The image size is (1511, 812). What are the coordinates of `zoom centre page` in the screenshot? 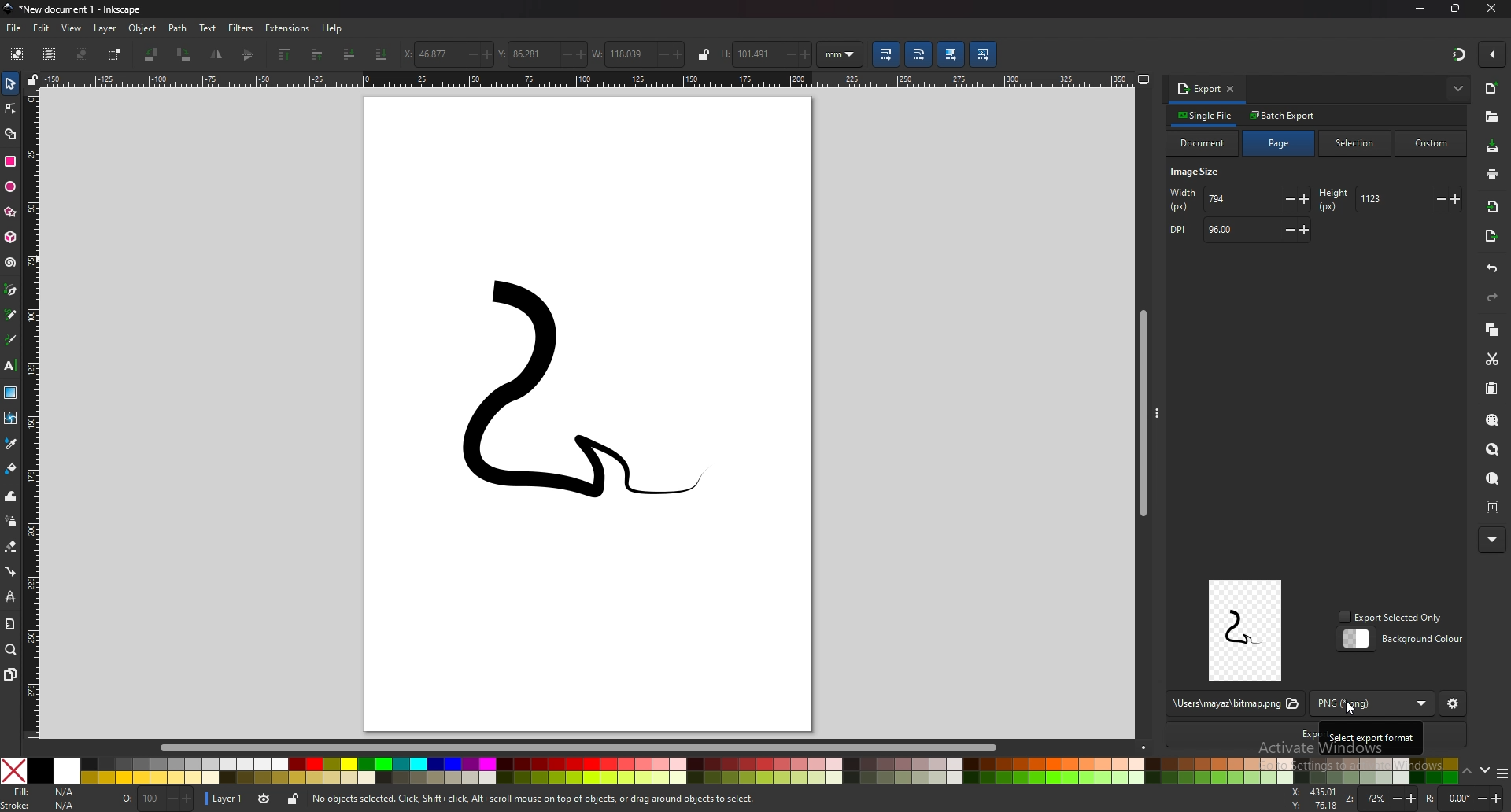 It's located at (1494, 507).